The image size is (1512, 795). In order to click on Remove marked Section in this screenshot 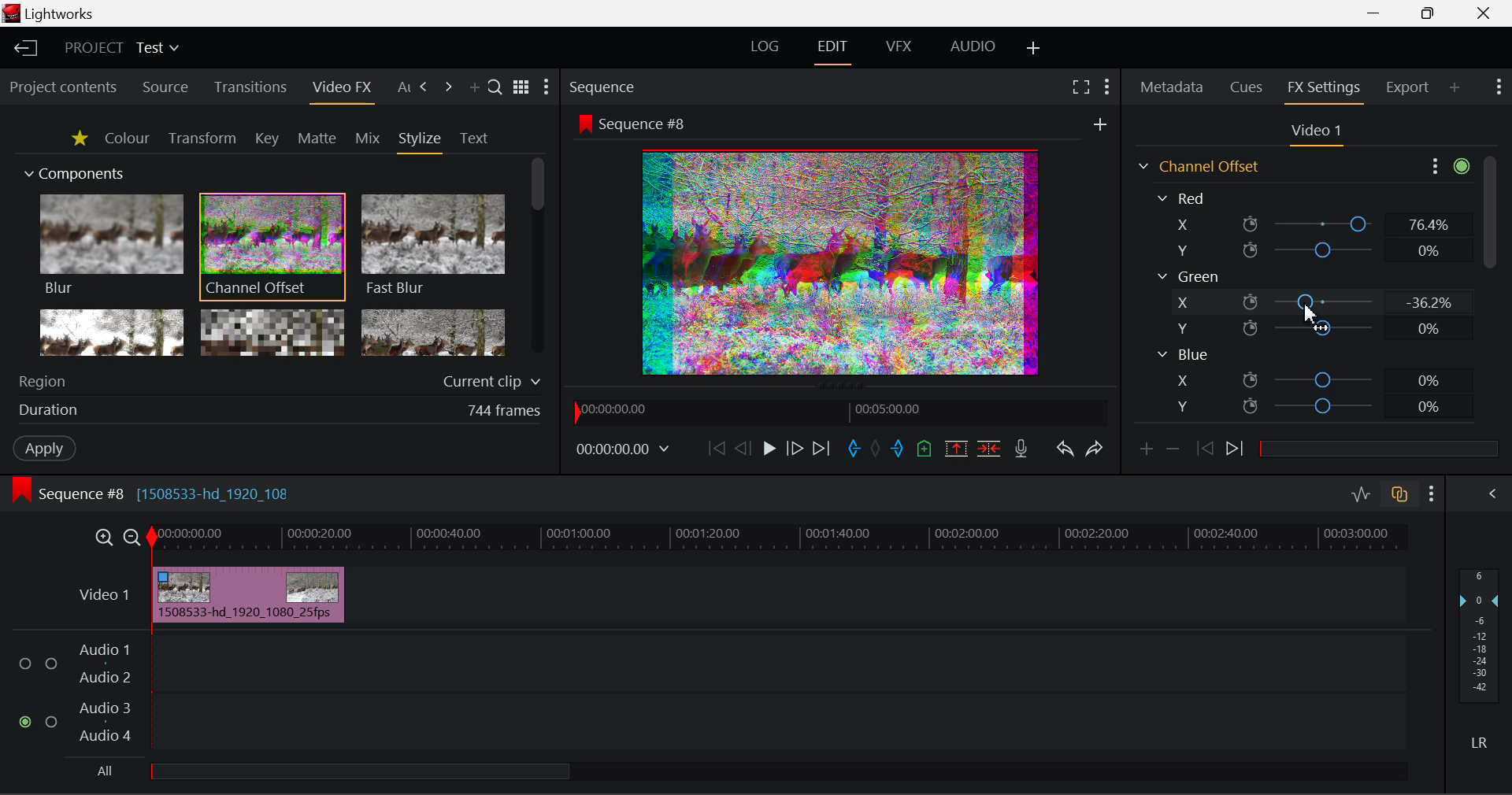, I will do `click(959, 449)`.